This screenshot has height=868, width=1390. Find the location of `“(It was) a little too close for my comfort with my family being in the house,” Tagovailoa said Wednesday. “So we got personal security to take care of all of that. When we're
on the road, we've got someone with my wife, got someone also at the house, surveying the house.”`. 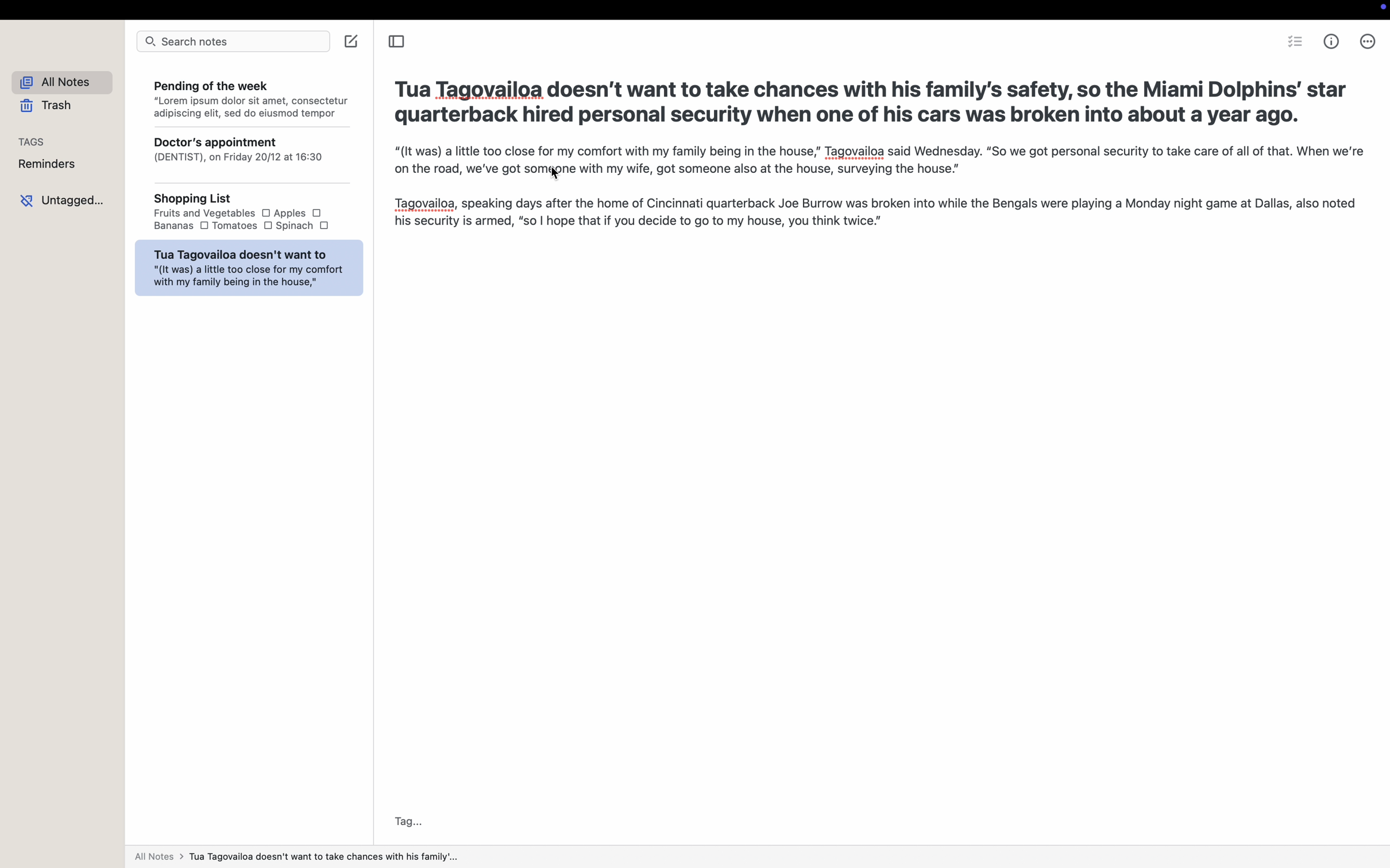

“(It was) a little too close for my comfort with my family being in the house,” Tagovailoa said Wednesday. “So we got personal security to take care of all of that. When we're
on the road, we've got someone with my wife, got someone also at the house, surveying the house.” is located at coordinates (874, 161).